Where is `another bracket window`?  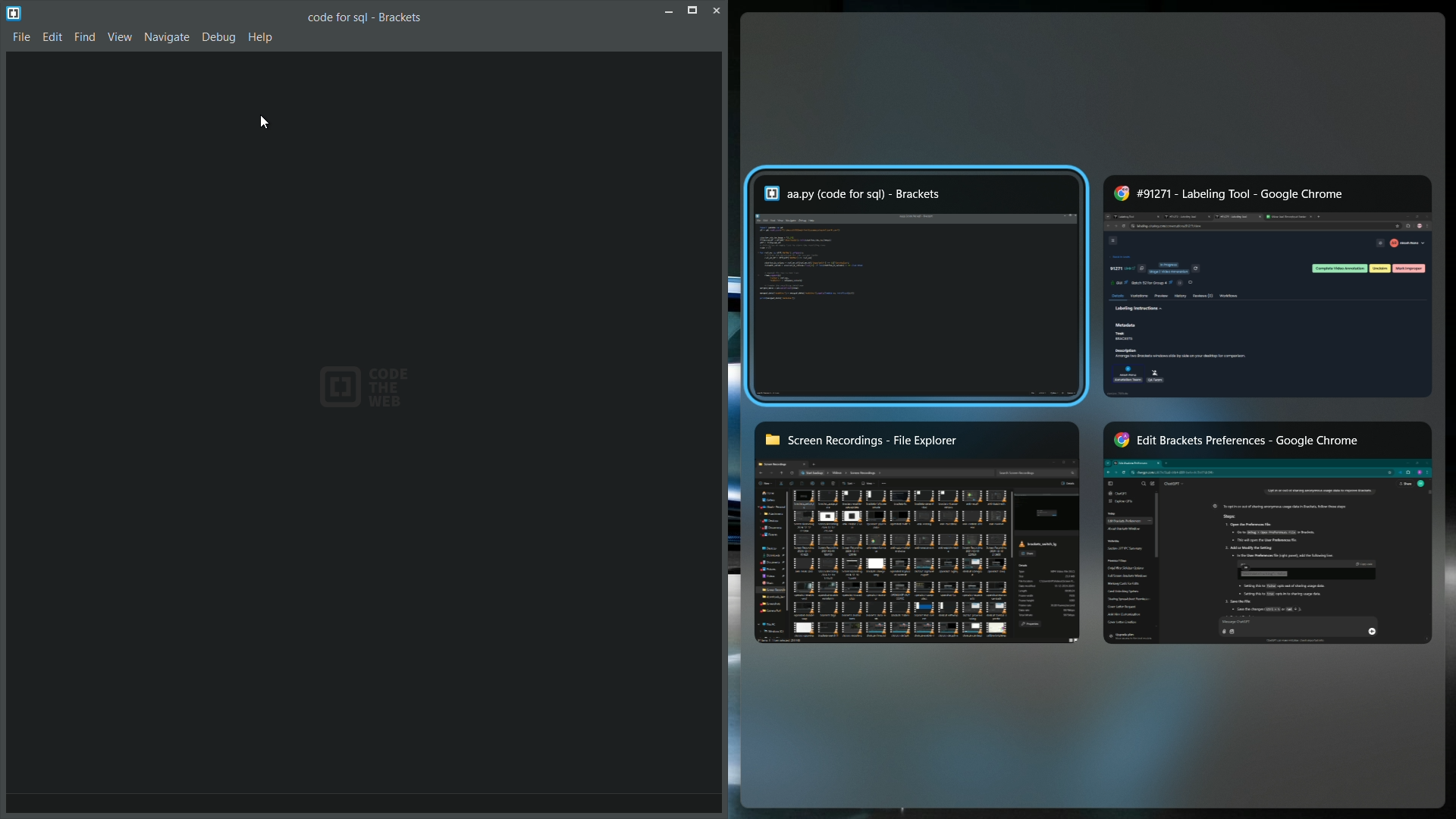
another bracket window is located at coordinates (914, 286).